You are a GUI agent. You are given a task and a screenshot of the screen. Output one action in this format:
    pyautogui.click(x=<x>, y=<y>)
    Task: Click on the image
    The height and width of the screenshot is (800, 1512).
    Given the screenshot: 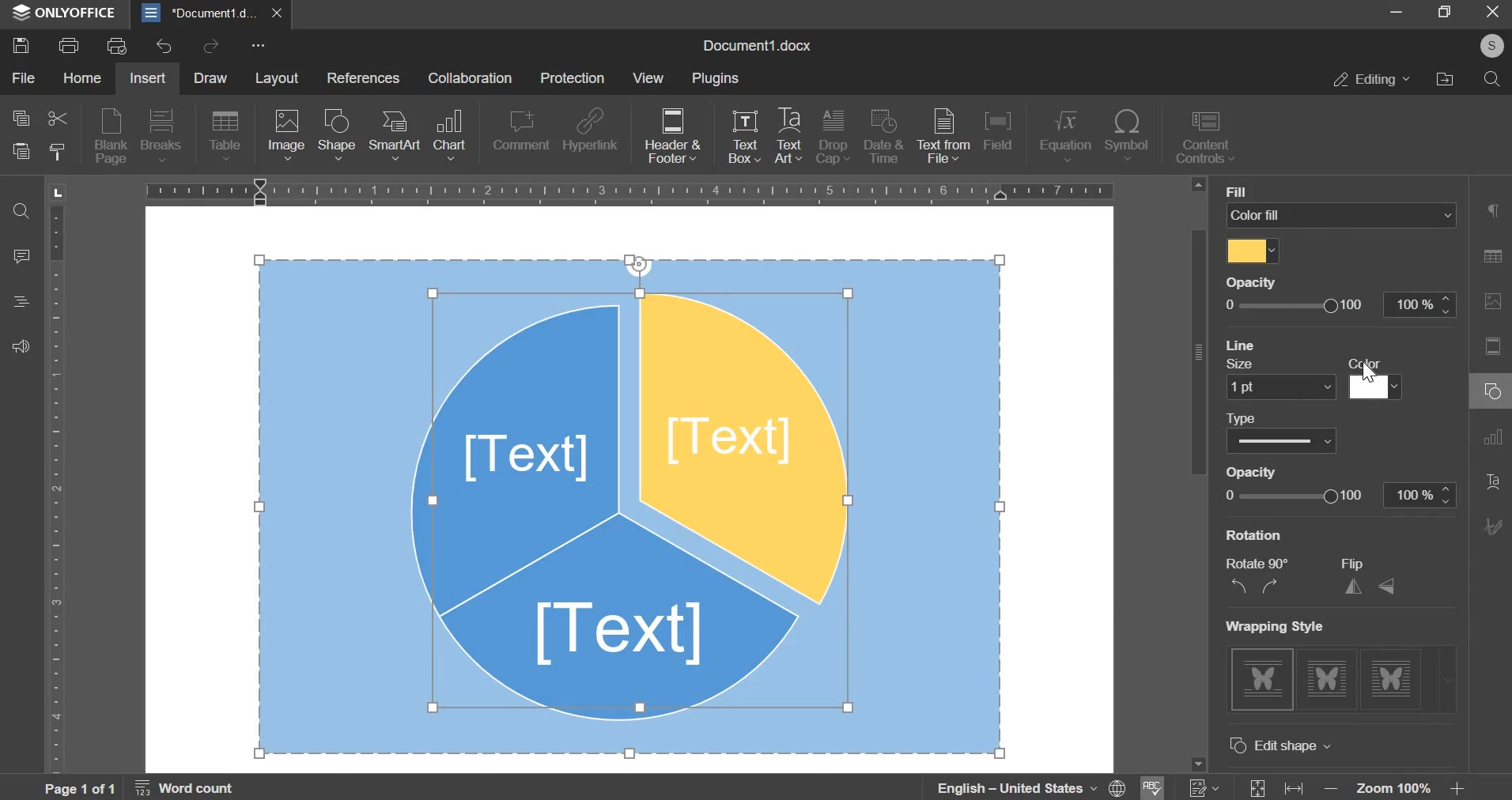 What is the action you would take?
    pyautogui.click(x=286, y=136)
    